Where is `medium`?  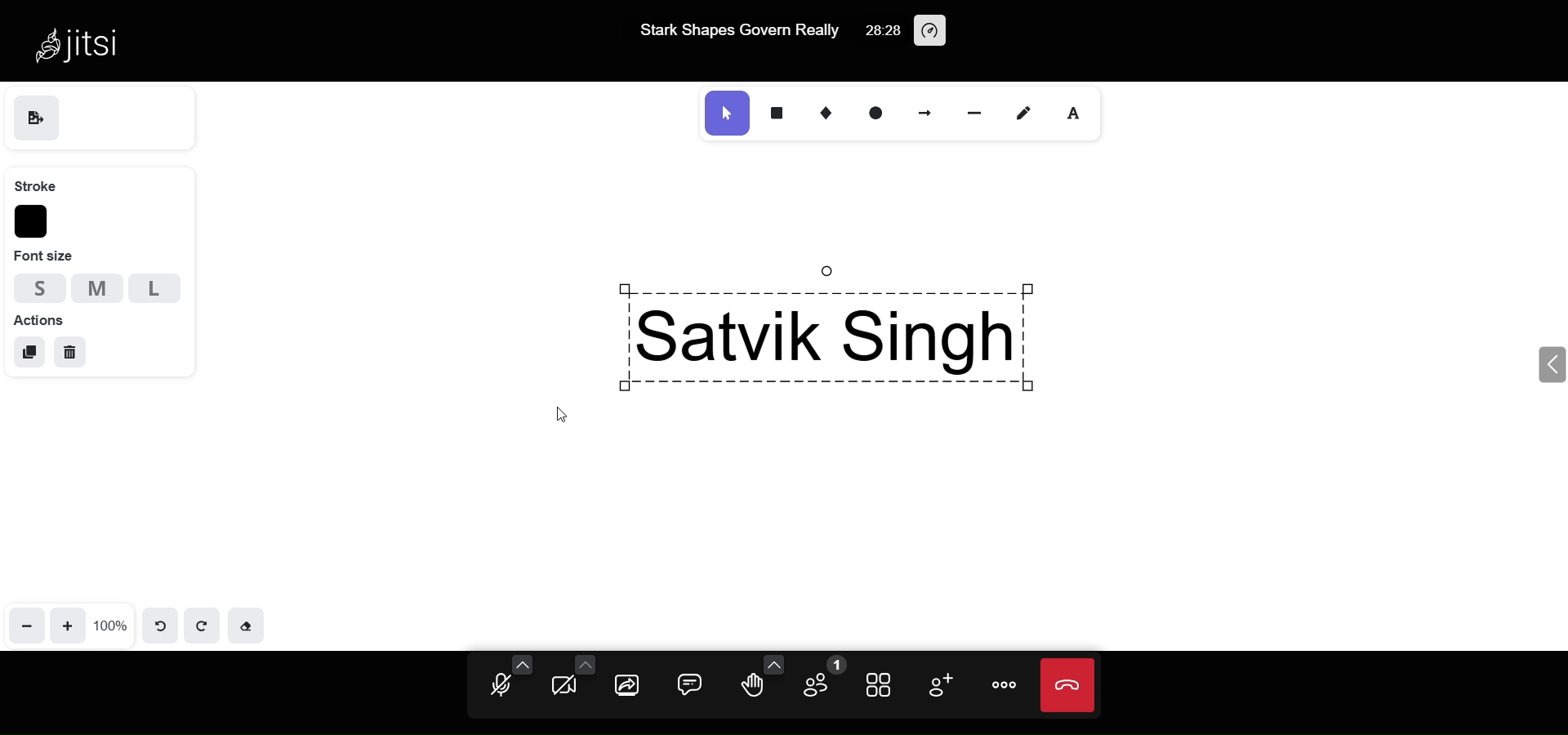 medium is located at coordinates (97, 287).